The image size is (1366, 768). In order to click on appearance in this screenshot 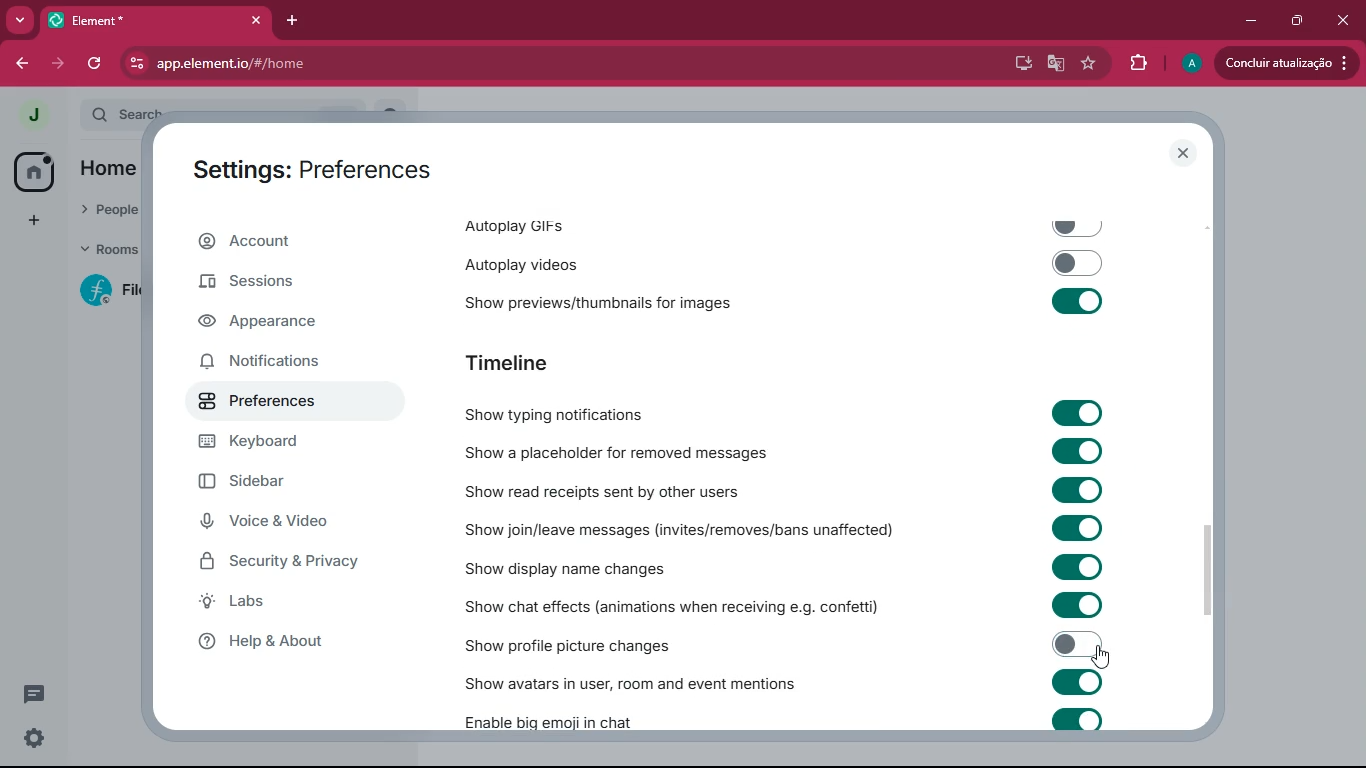, I will do `click(275, 325)`.